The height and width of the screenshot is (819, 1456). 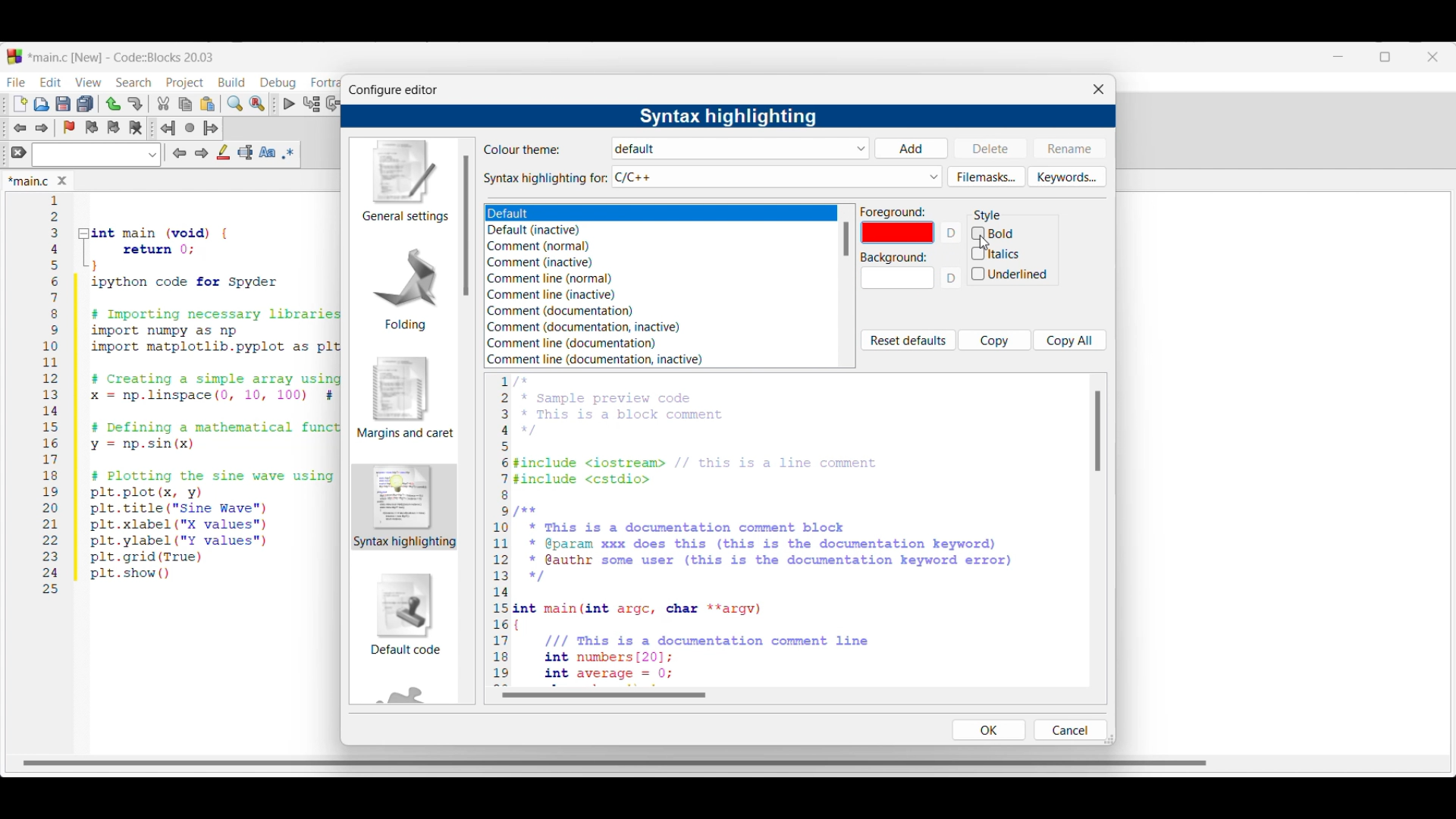 What do you see at coordinates (953, 233) in the screenshot?
I see `D` at bounding box center [953, 233].